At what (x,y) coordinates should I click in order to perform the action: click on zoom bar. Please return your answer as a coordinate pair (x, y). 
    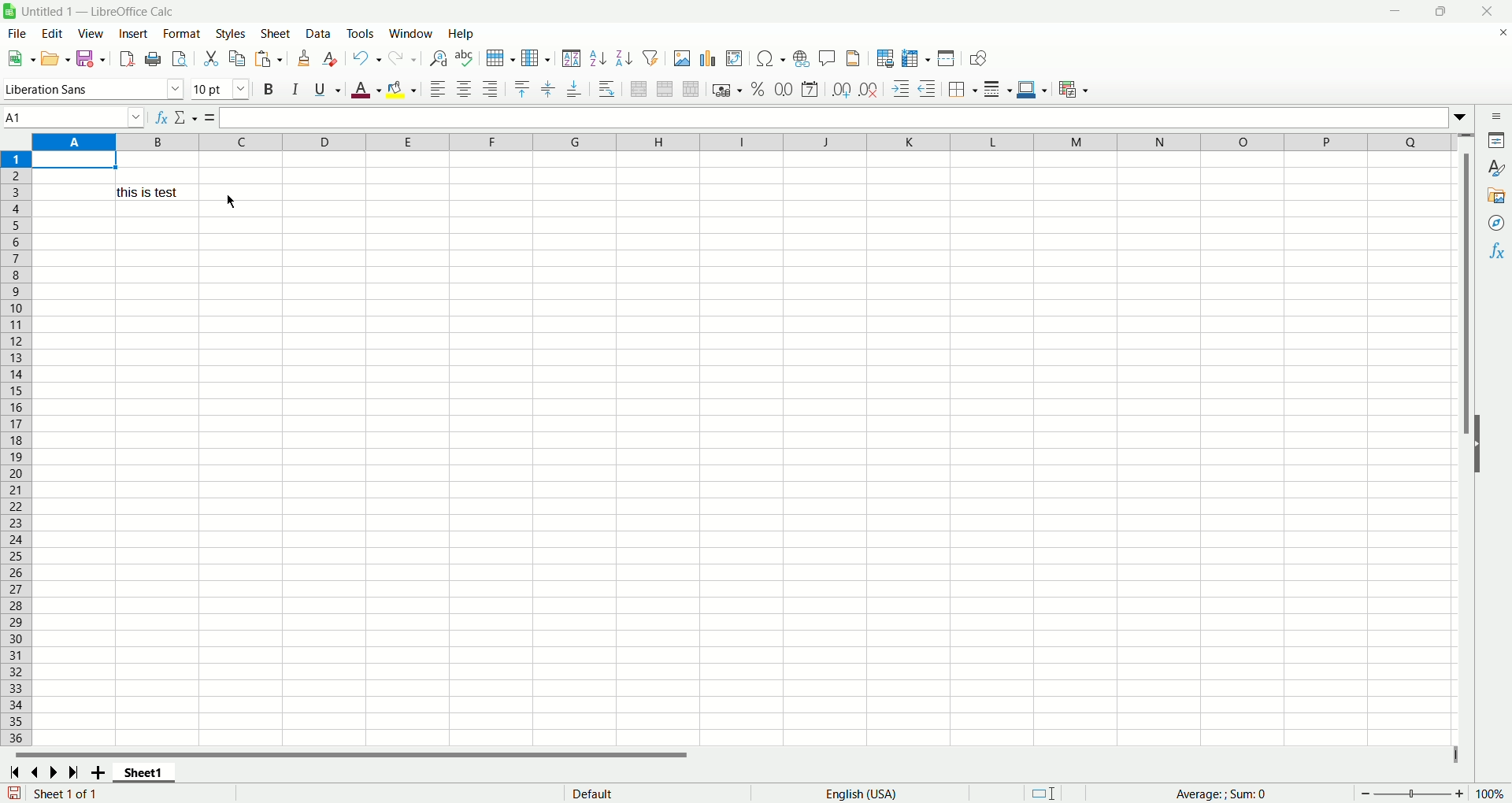
    Looking at the image, I should click on (1414, 792).